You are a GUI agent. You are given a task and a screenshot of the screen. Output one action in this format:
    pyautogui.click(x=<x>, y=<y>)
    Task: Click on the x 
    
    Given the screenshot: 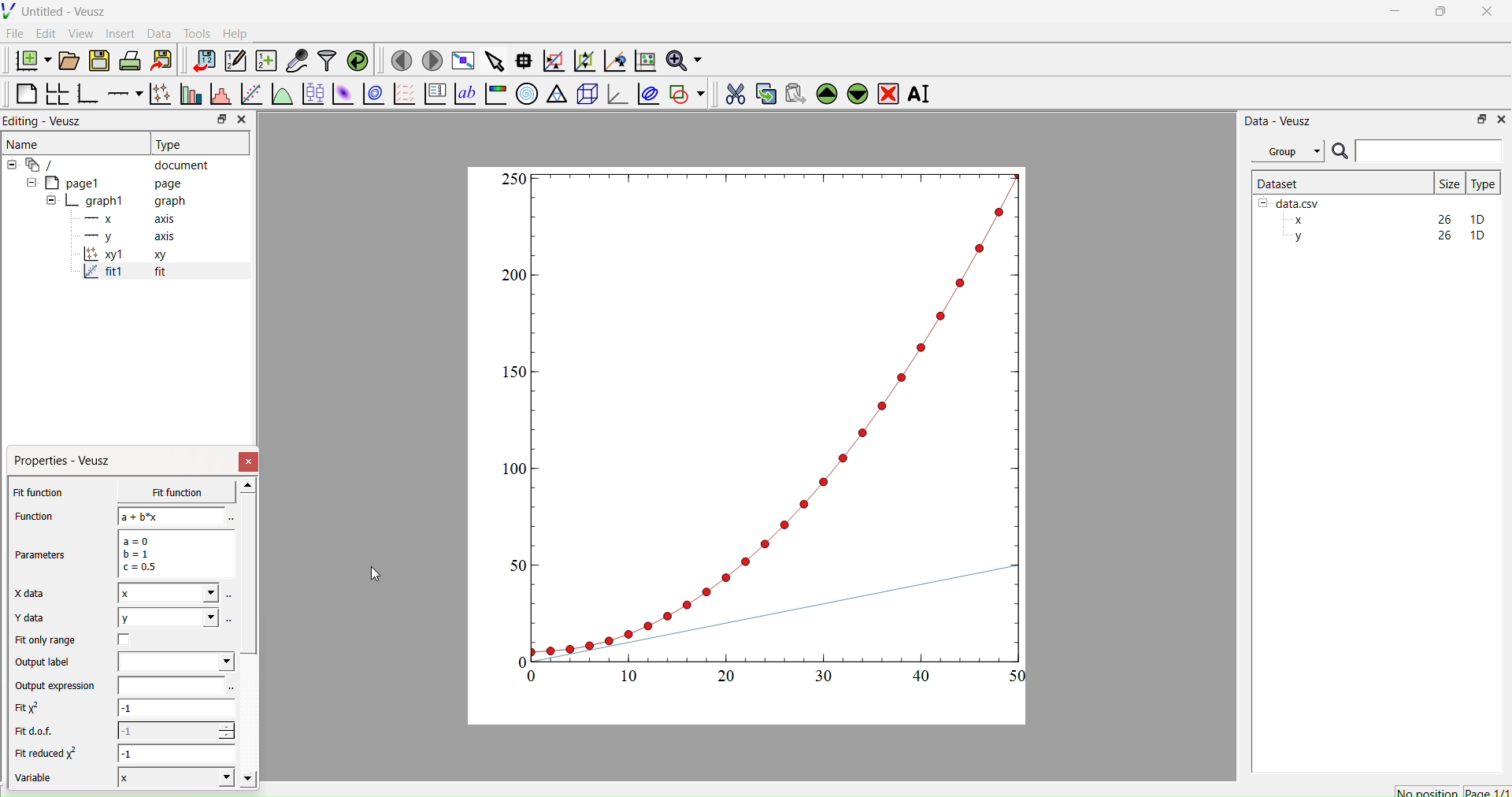 What is the action you would take?
    pyautogui.click(x=168, y=593)
    